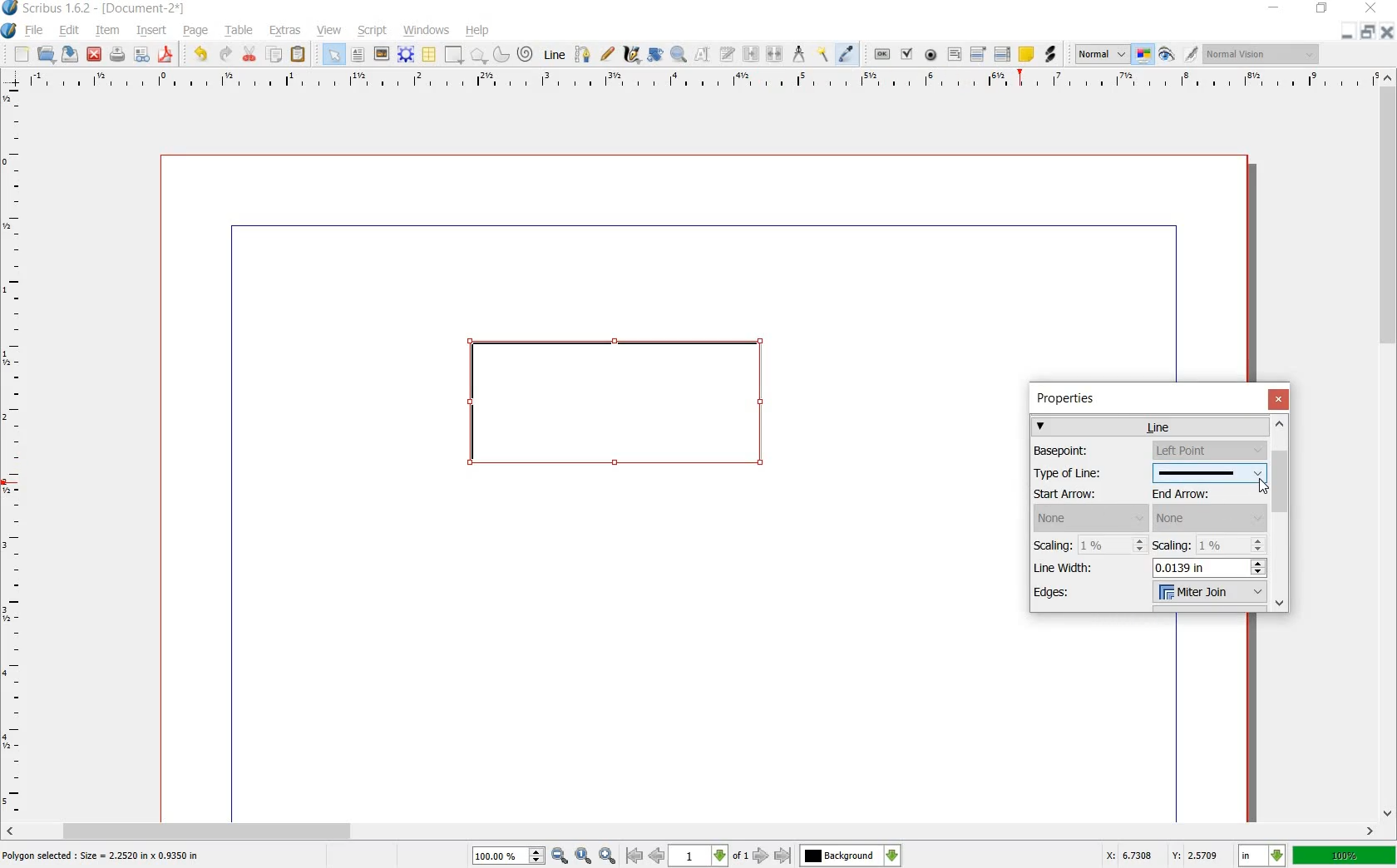 The image size is (1397, 868). Describe the element at coordinates (405, 55) in the screenshot. I see `RENDER FRAME` at that location.